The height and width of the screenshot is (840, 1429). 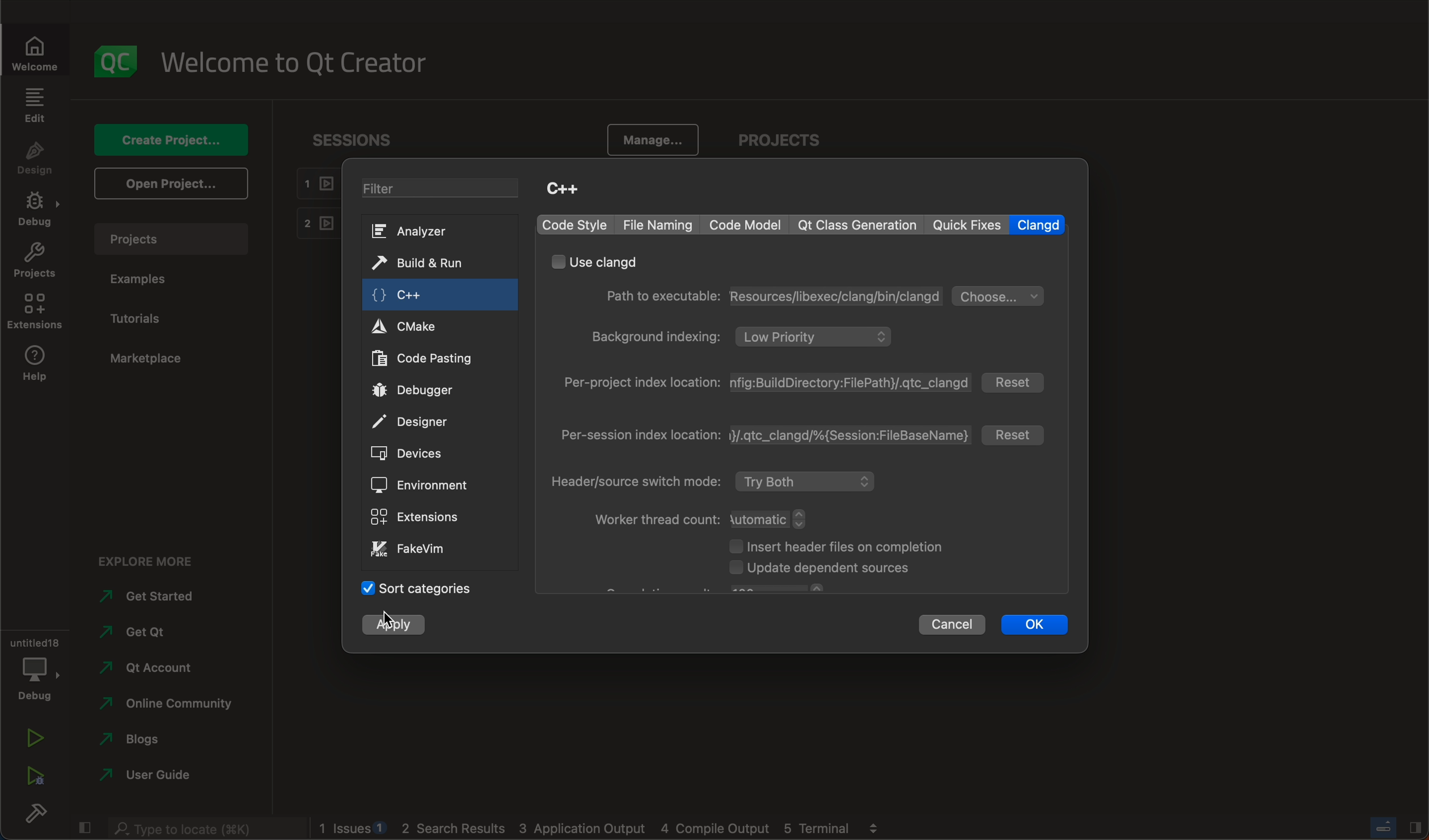 I want to click on community, so click(x=171, y=703).